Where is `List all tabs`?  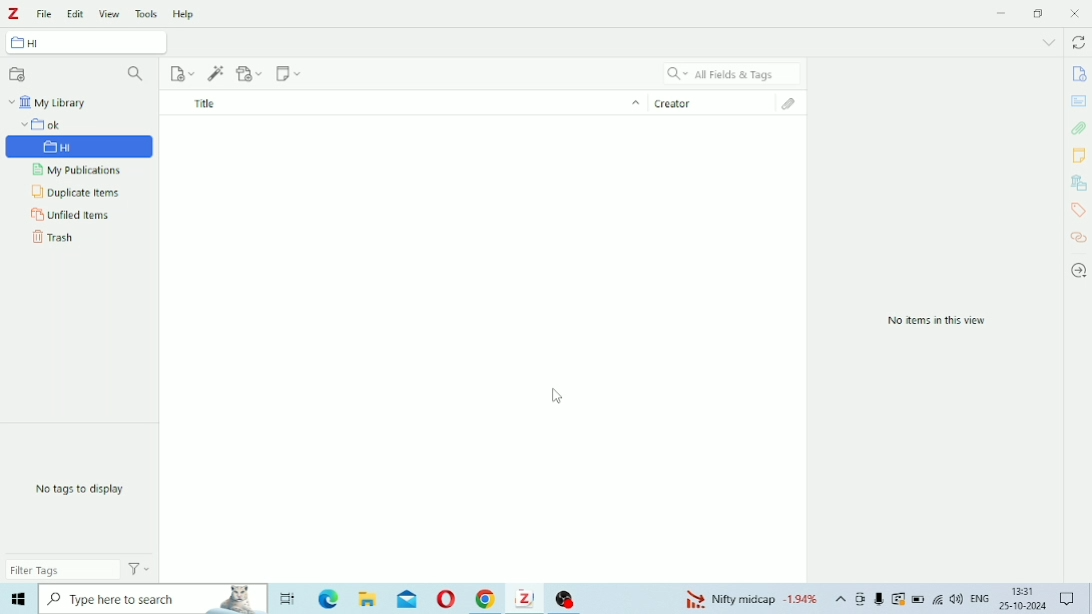
List all tabs is located at coordinates (1049, 42).